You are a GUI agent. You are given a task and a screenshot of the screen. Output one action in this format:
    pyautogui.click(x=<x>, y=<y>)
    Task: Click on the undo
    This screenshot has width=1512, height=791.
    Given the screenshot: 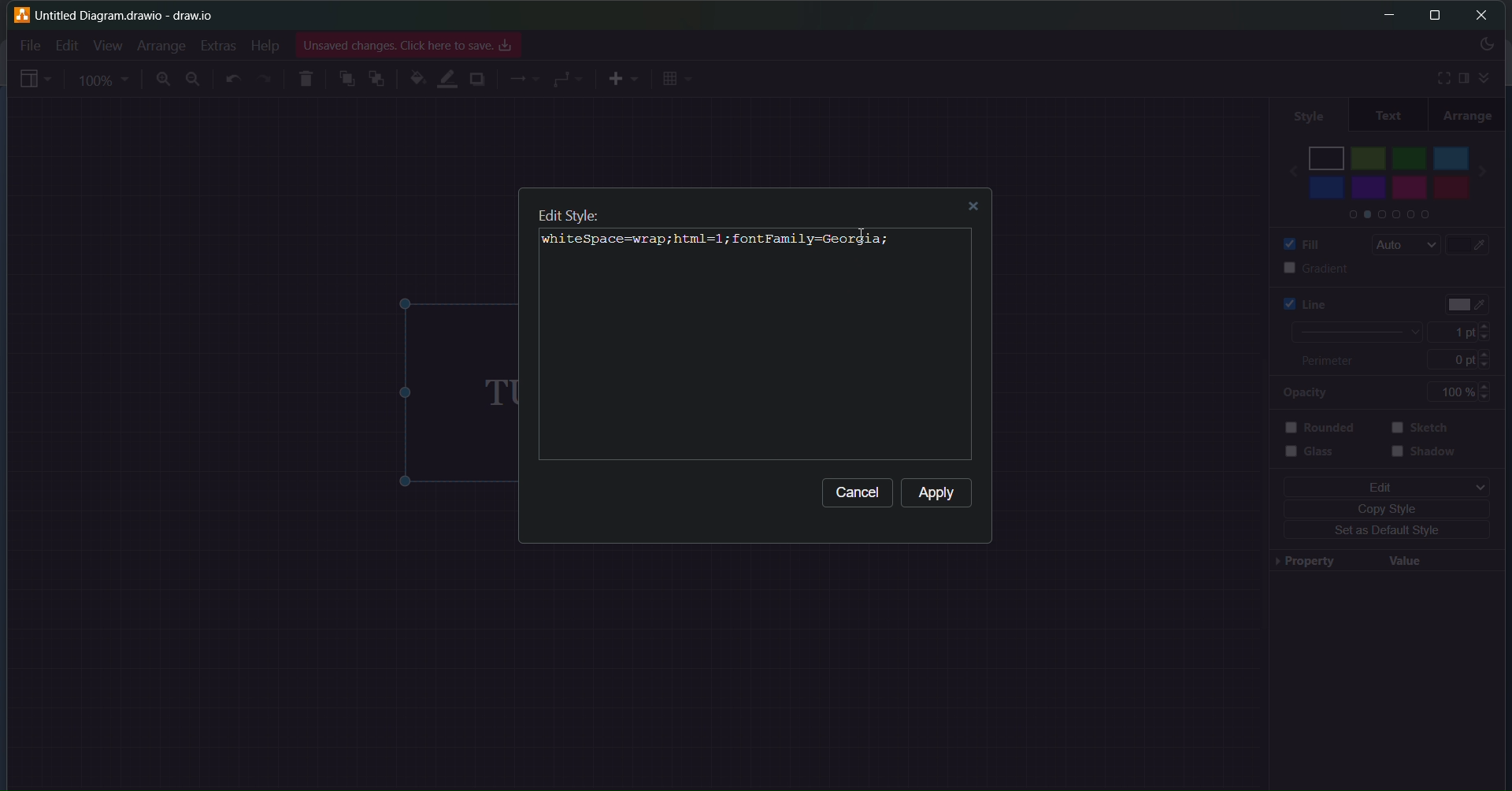 What is the action you would take?
    pyautogui.click(x=235, y=80)
    